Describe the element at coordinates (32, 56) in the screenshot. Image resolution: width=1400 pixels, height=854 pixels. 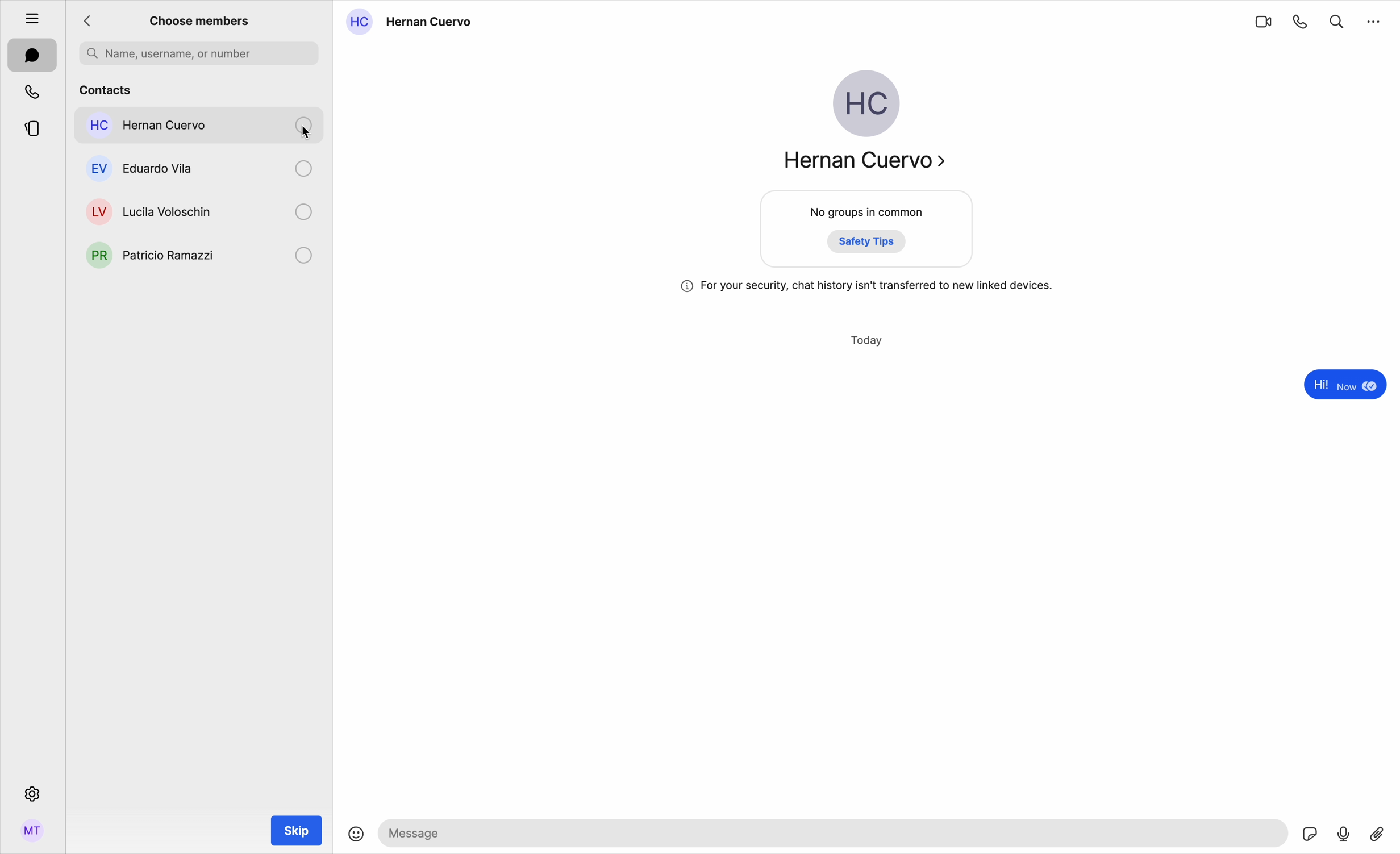
I see `chats` at that location.